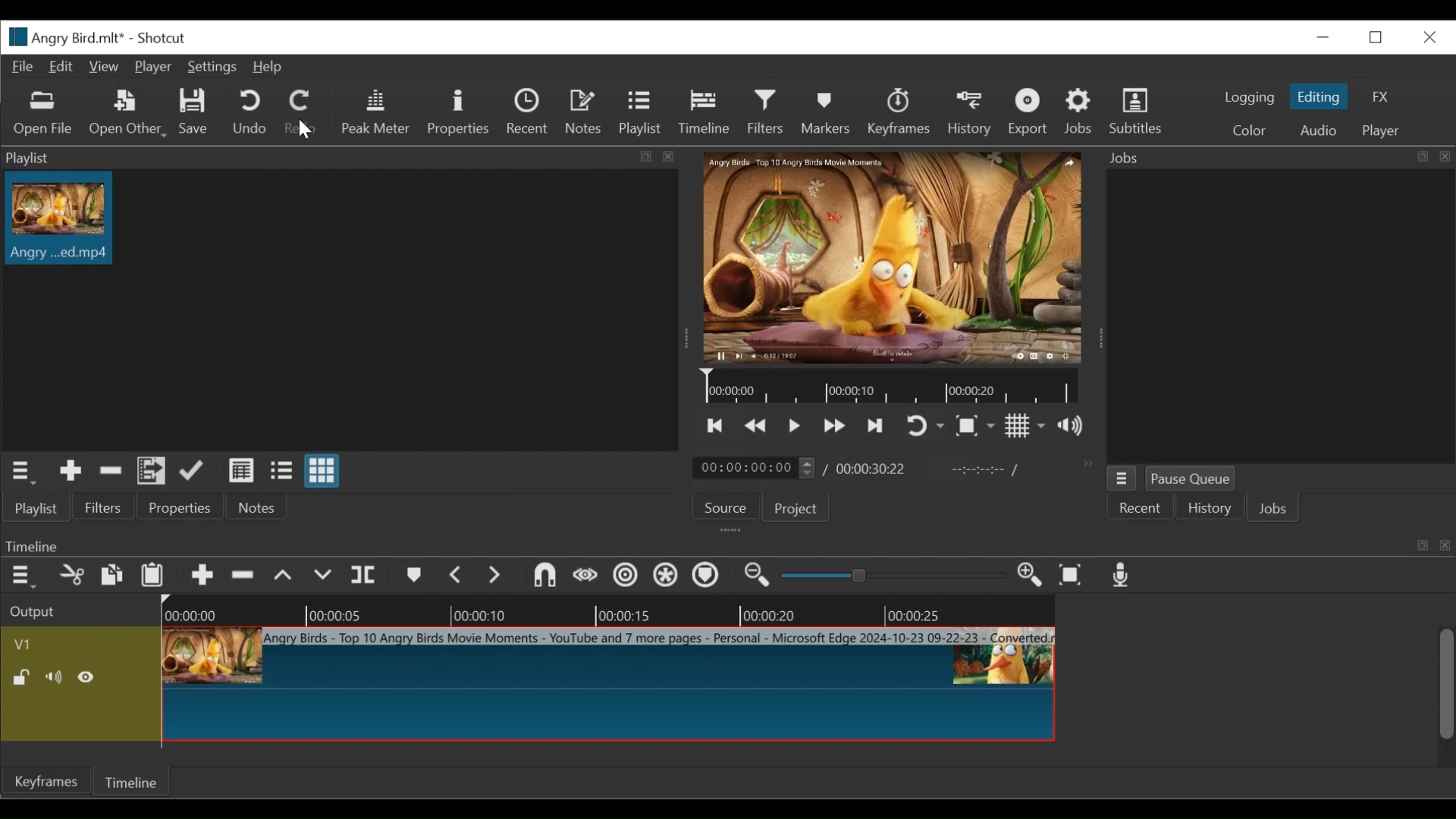 The image size is (1456, 819). What do you see at coordinates (1122, 576) in the screenshot?
I see `Record audio` at bounding box center [1122, 576].